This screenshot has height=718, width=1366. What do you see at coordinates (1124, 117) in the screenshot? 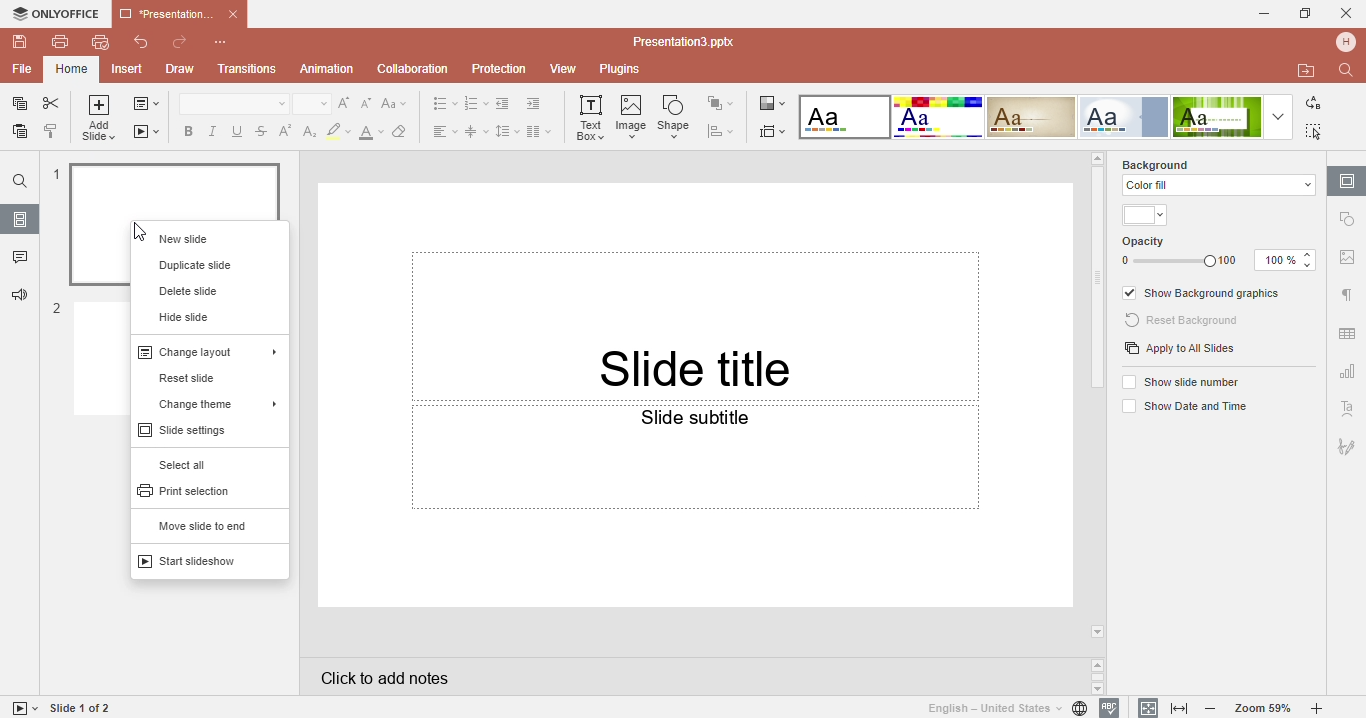
I see `Offical` at bounding box center [1124, 117].